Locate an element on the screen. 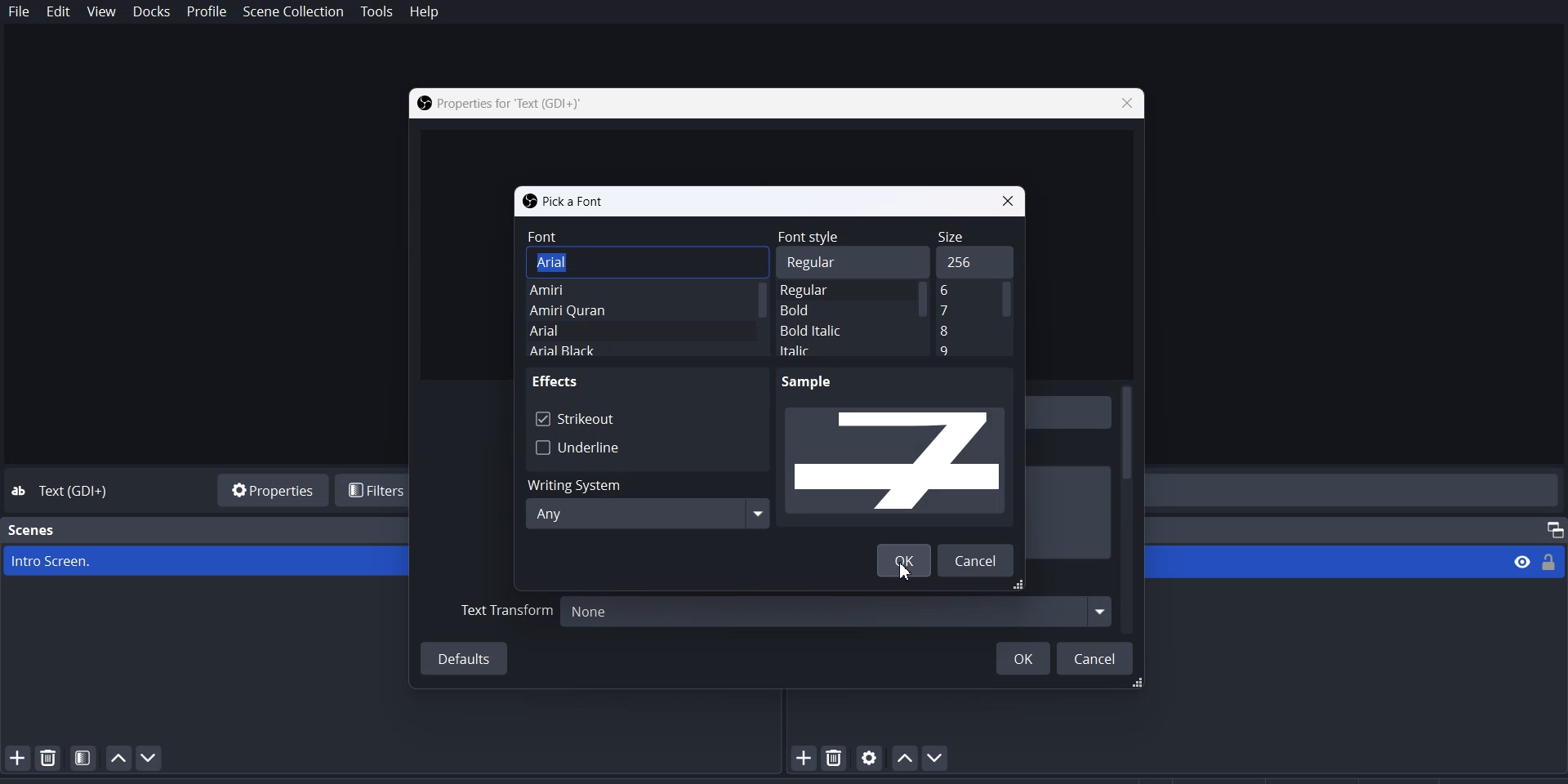  Font Style is located at coordinates (840, 236).